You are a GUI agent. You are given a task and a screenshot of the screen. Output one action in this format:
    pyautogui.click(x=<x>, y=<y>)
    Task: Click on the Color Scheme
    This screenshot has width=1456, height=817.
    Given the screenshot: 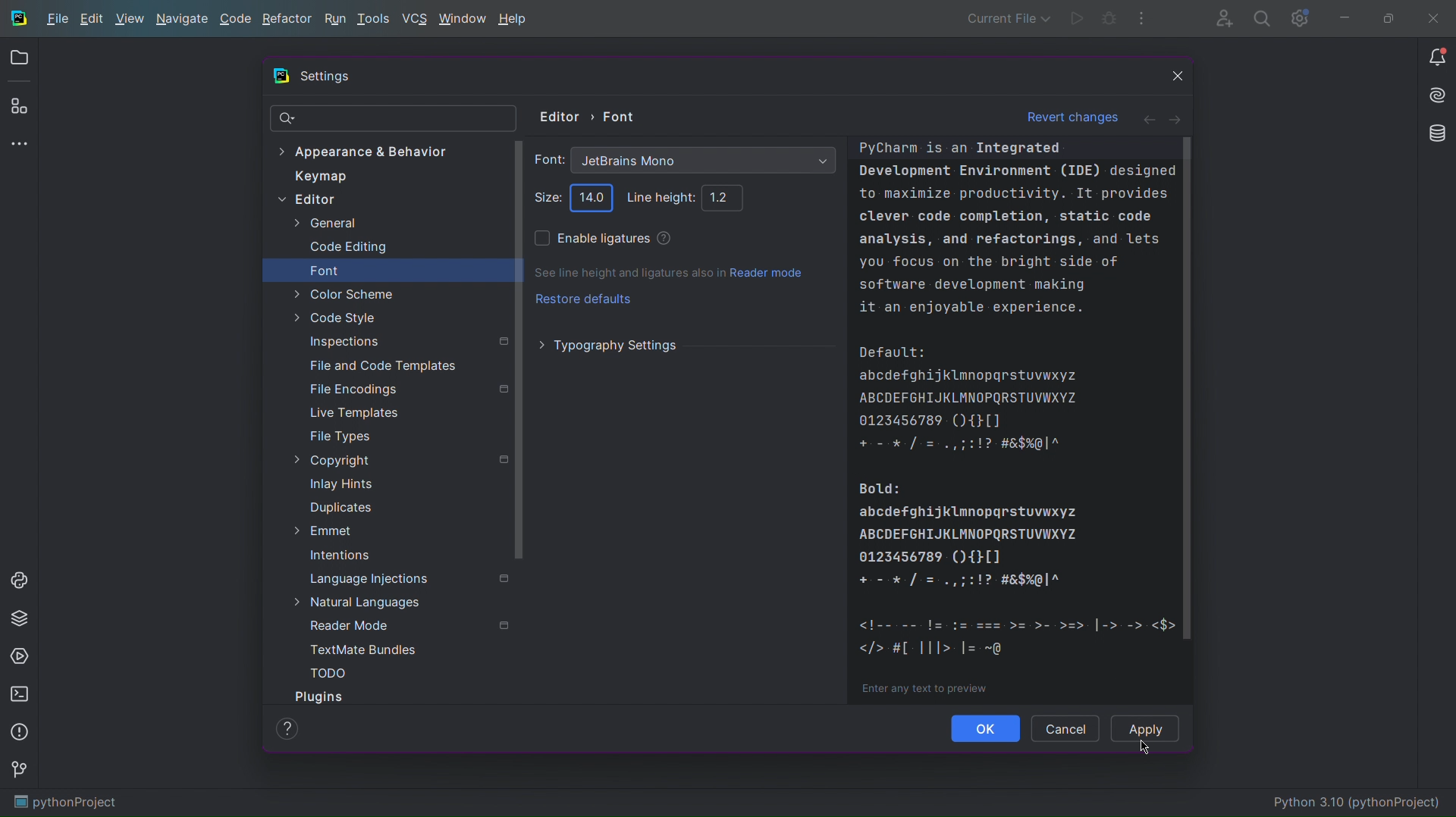 What is the action you would take?
    pyautogui.click(x=341, y=291)
    